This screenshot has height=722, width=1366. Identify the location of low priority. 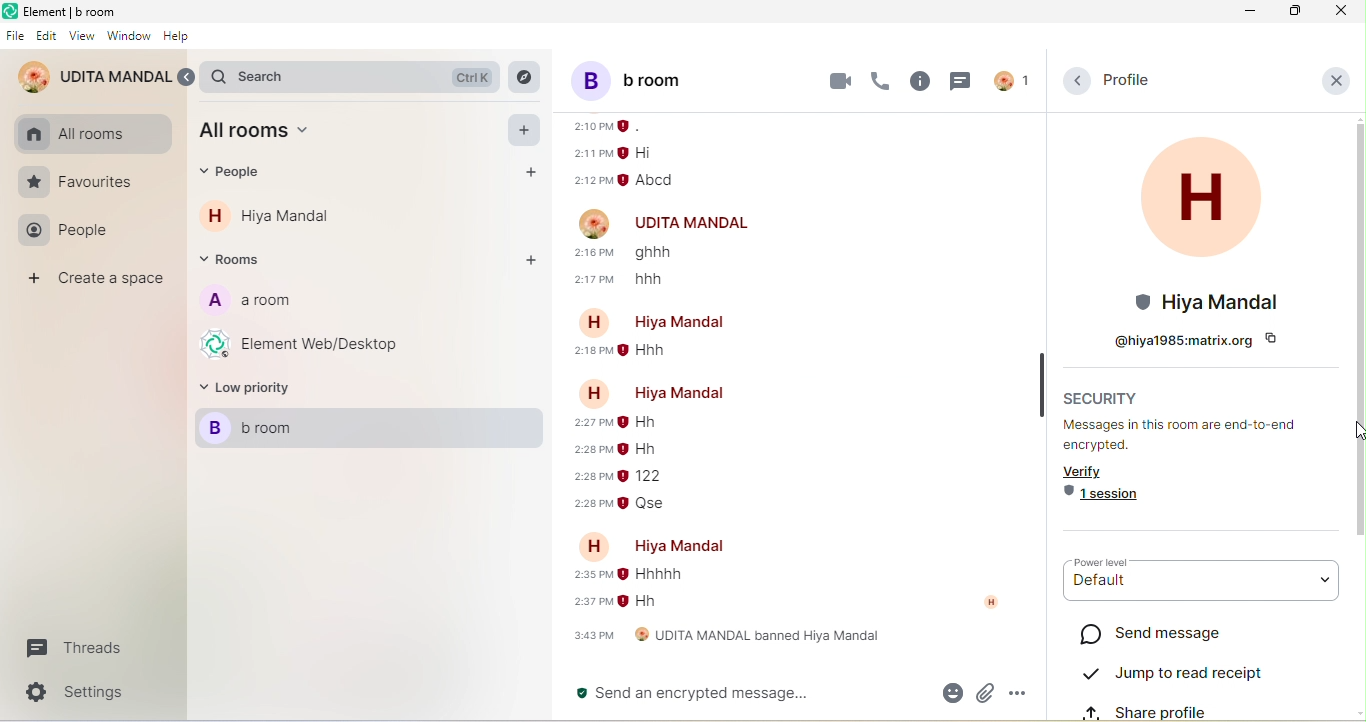
(251, 391).